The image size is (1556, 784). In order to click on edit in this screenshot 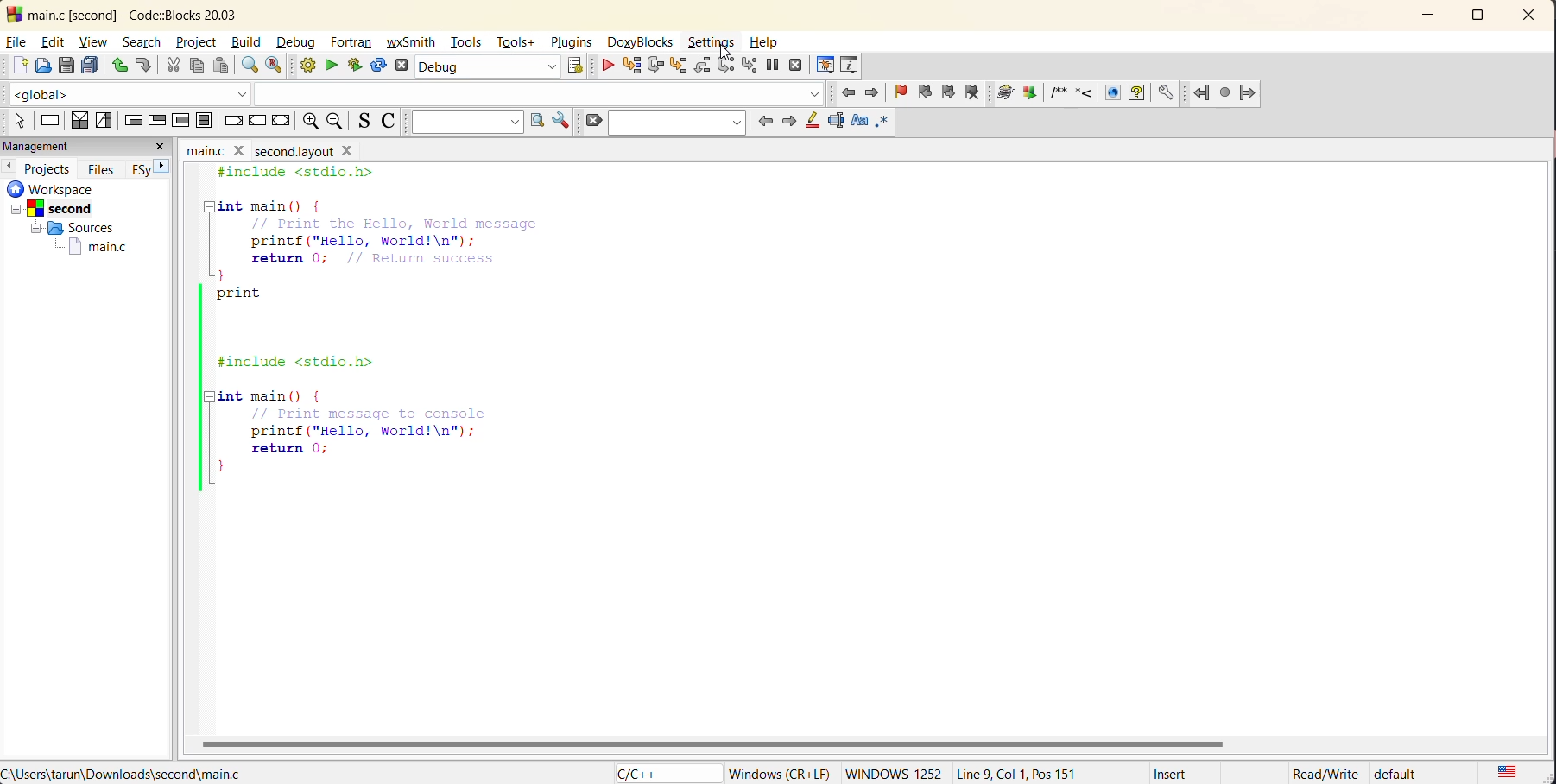, I will do `click(56, 41)`.